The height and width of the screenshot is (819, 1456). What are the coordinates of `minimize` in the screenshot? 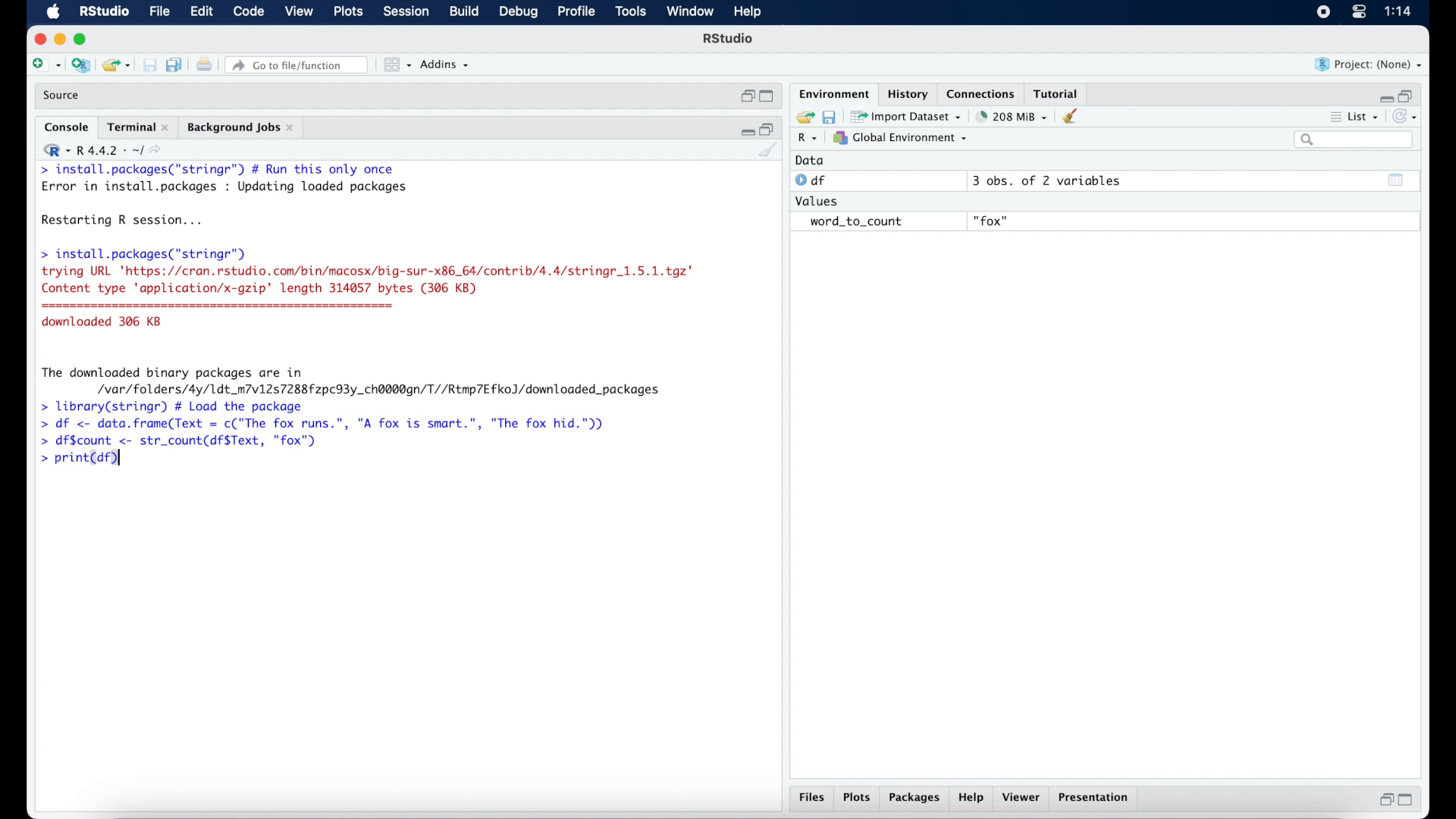 It's located at (1384, 98).